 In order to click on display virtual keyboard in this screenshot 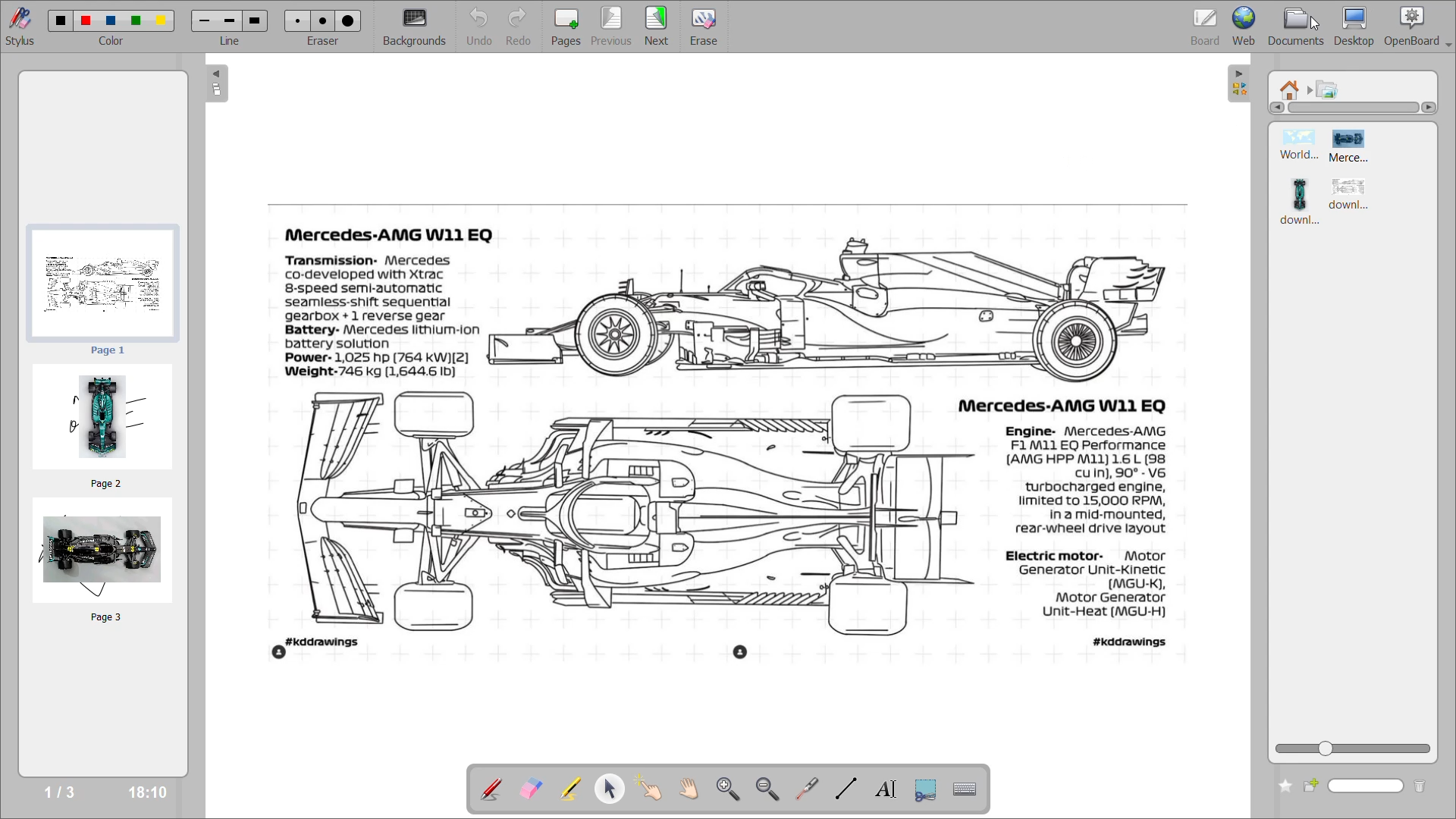, I will do `click(969, 789)`.